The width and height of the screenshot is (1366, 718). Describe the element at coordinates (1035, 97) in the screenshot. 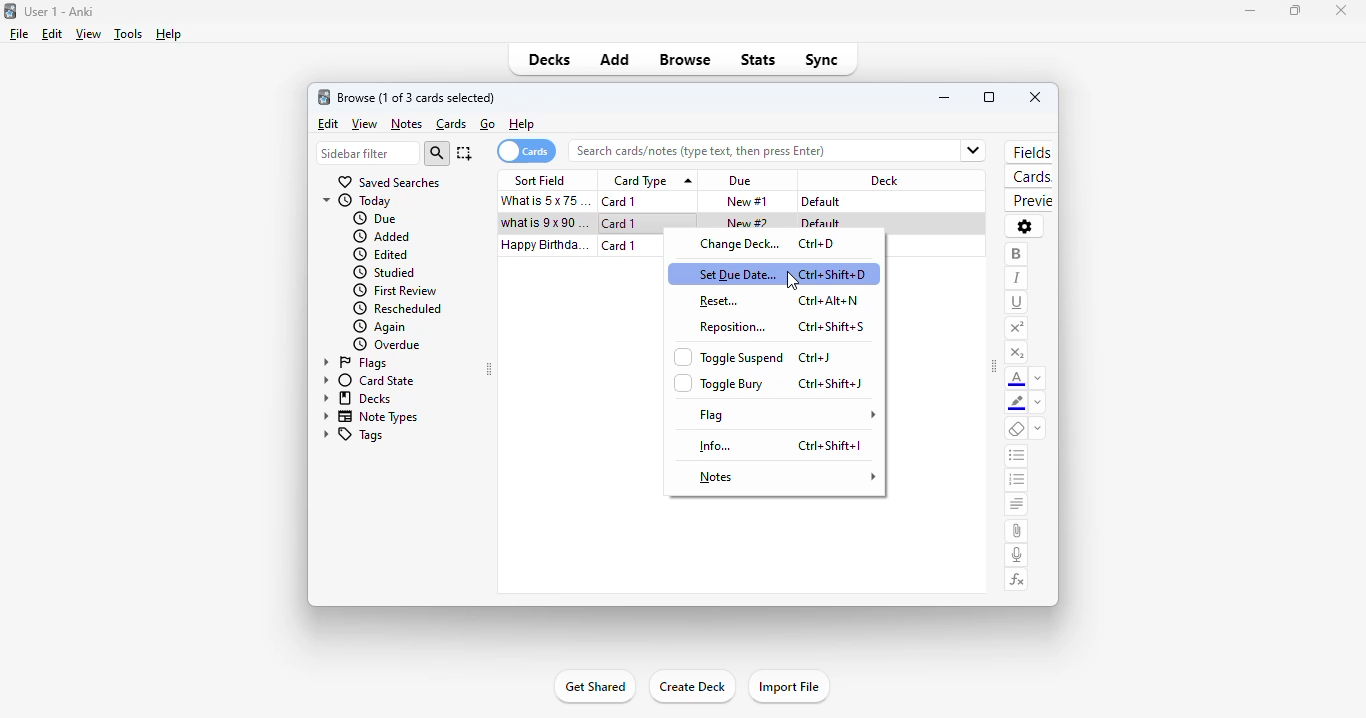

I see `close` at that location.